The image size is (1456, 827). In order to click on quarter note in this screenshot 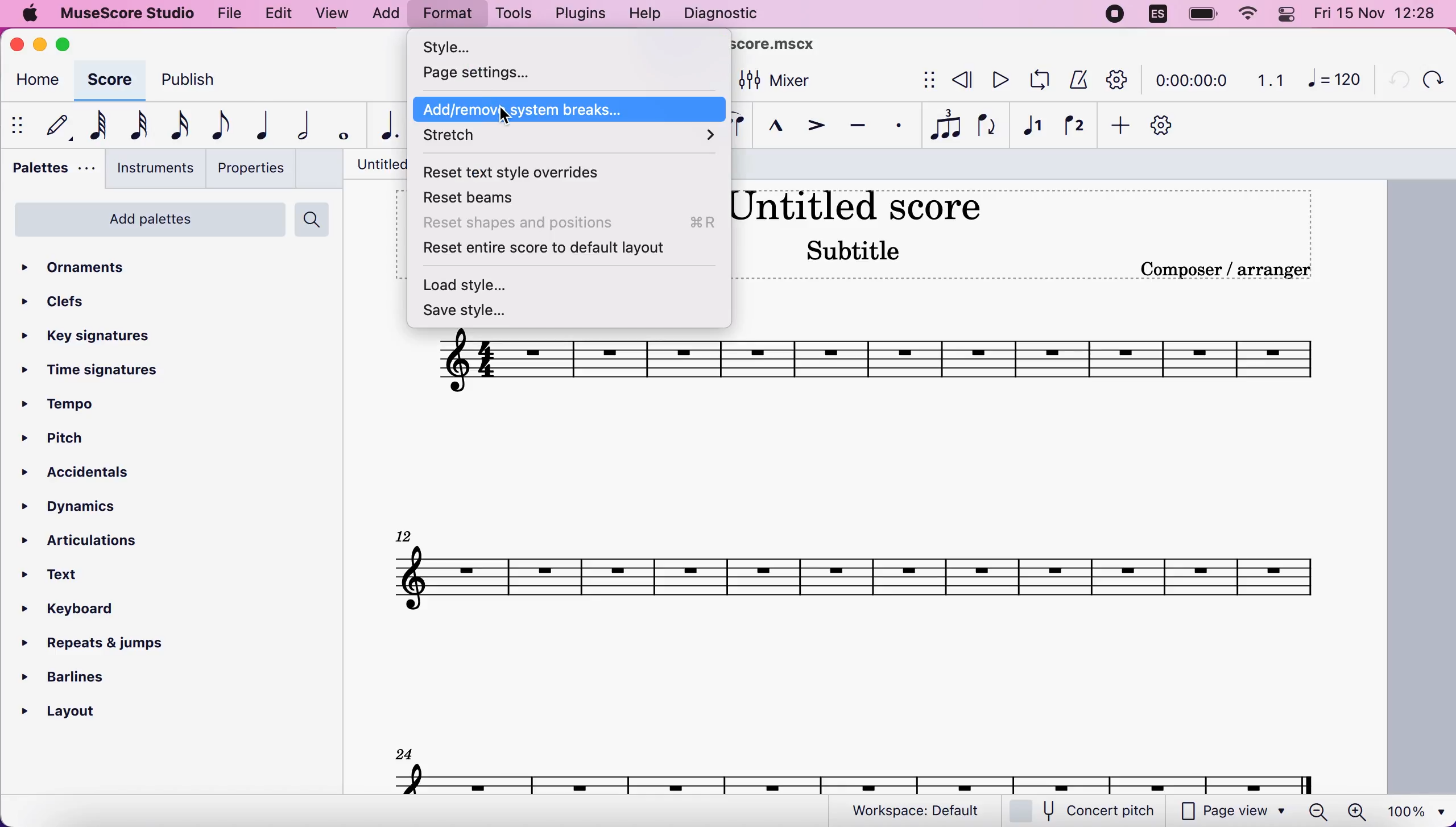, I will do `click(258, 125)`.